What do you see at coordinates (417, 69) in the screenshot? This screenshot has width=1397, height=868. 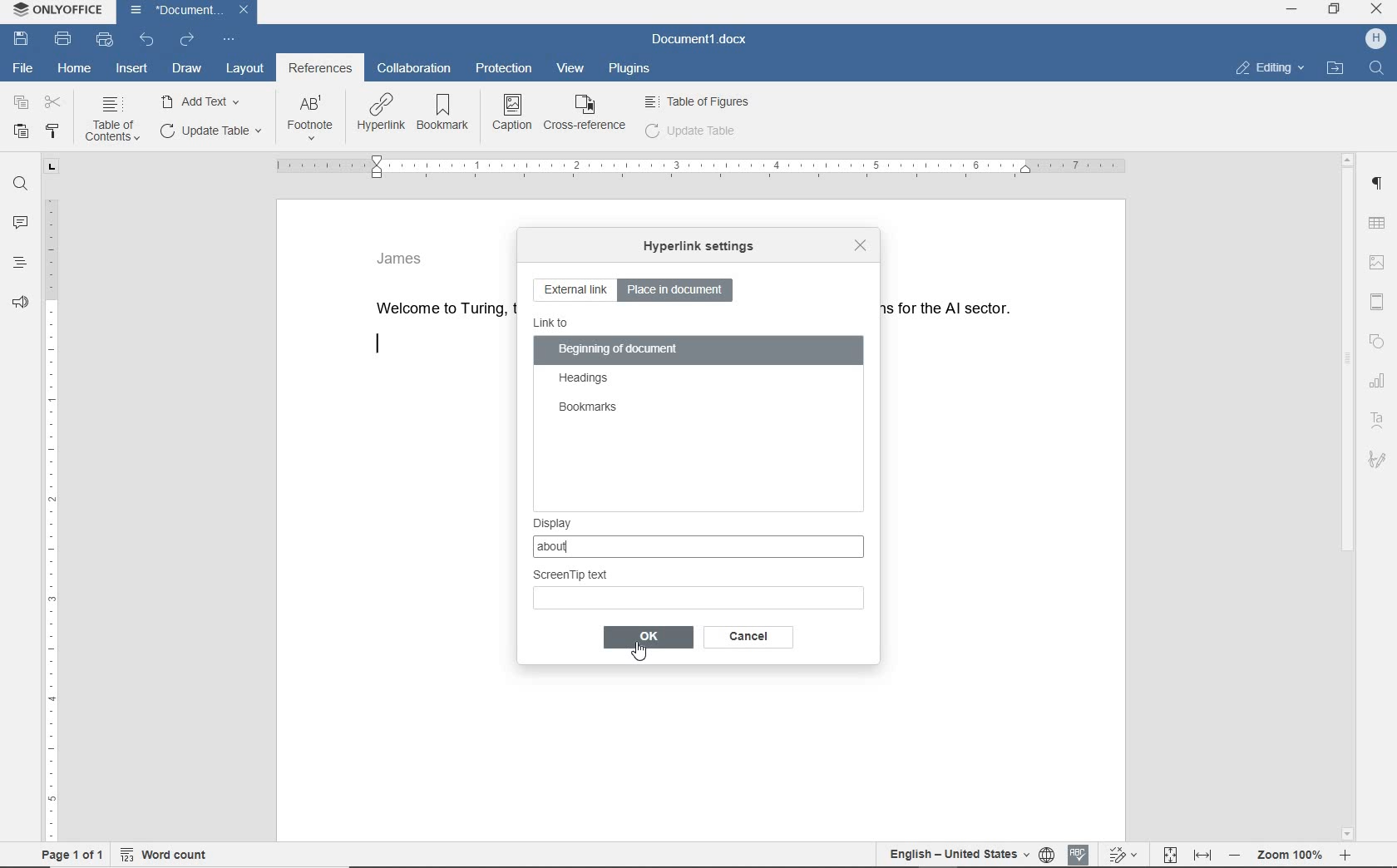 I see `collaboration` at bounding box center [417, 69].